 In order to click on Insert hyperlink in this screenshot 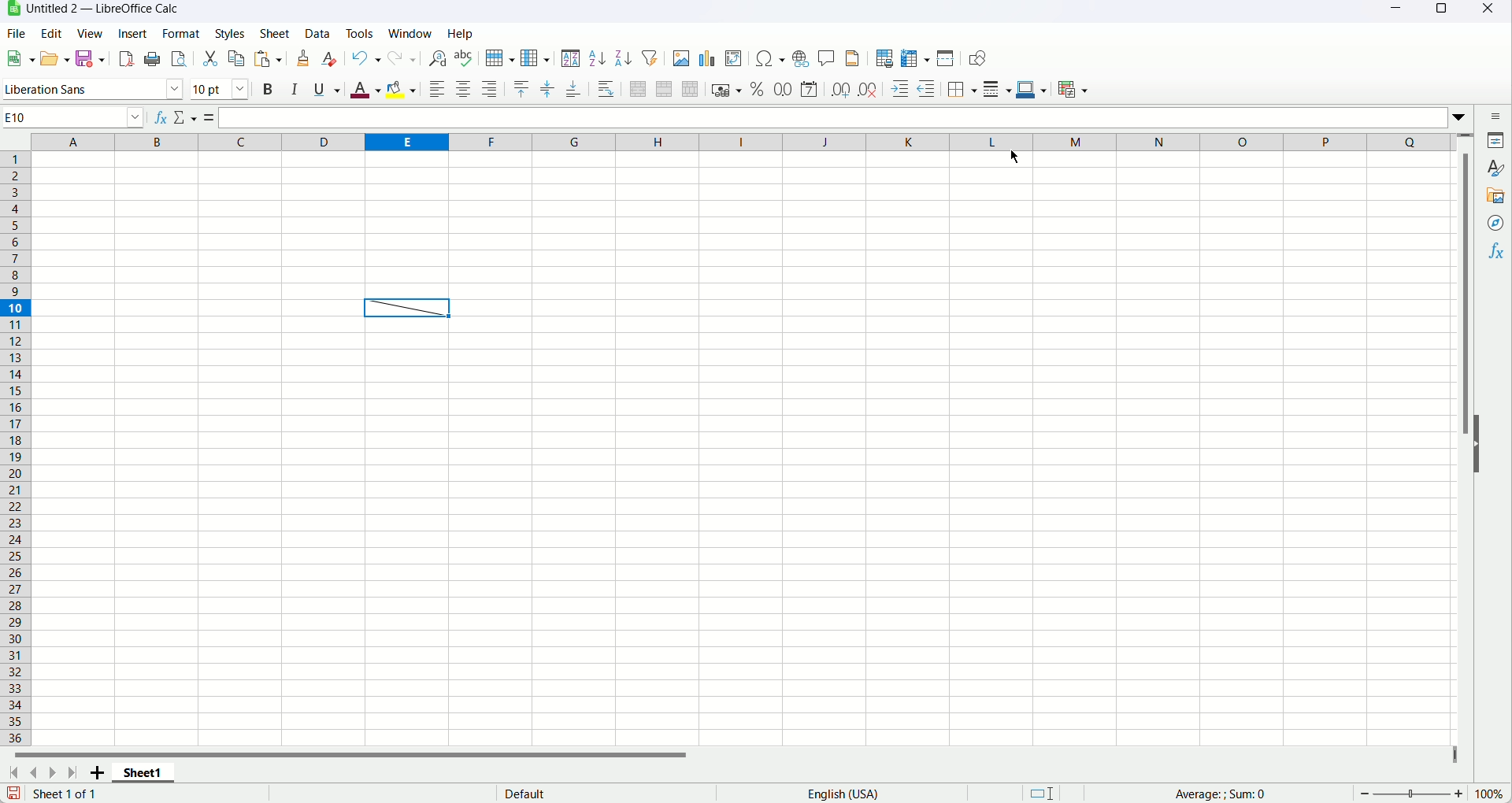, I will do `click(802, 59)`.